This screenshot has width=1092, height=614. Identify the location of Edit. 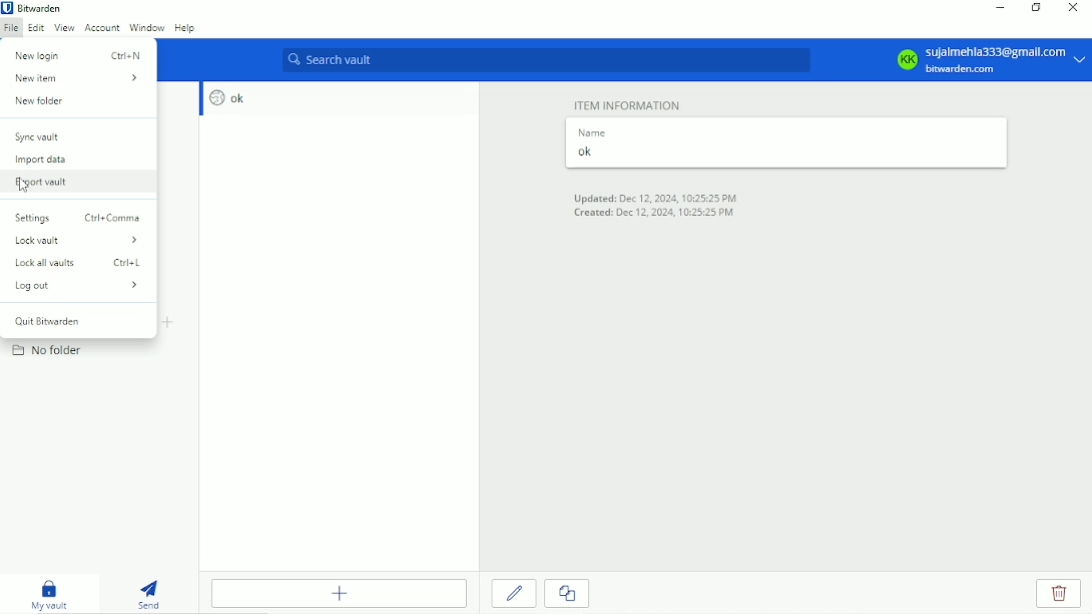
(515, 593).